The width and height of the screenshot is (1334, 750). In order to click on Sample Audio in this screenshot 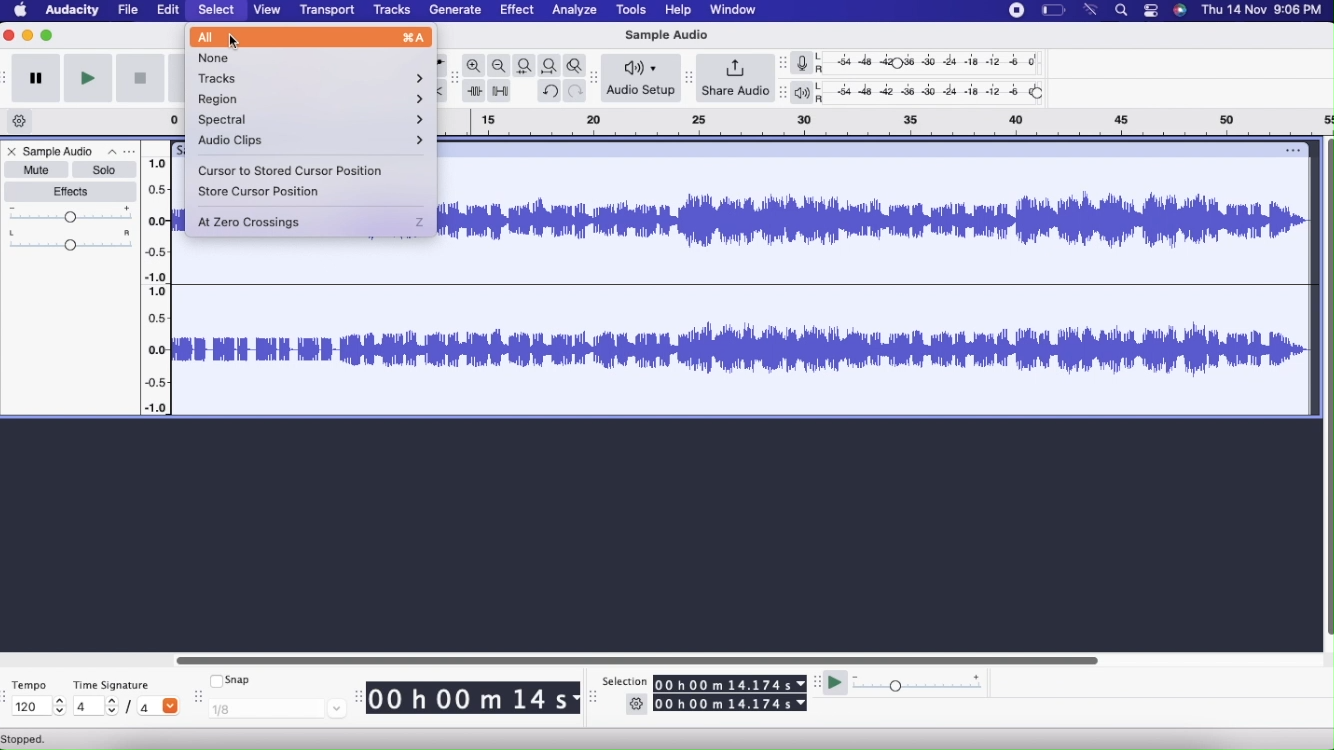, I will do `click(61, 151)`.